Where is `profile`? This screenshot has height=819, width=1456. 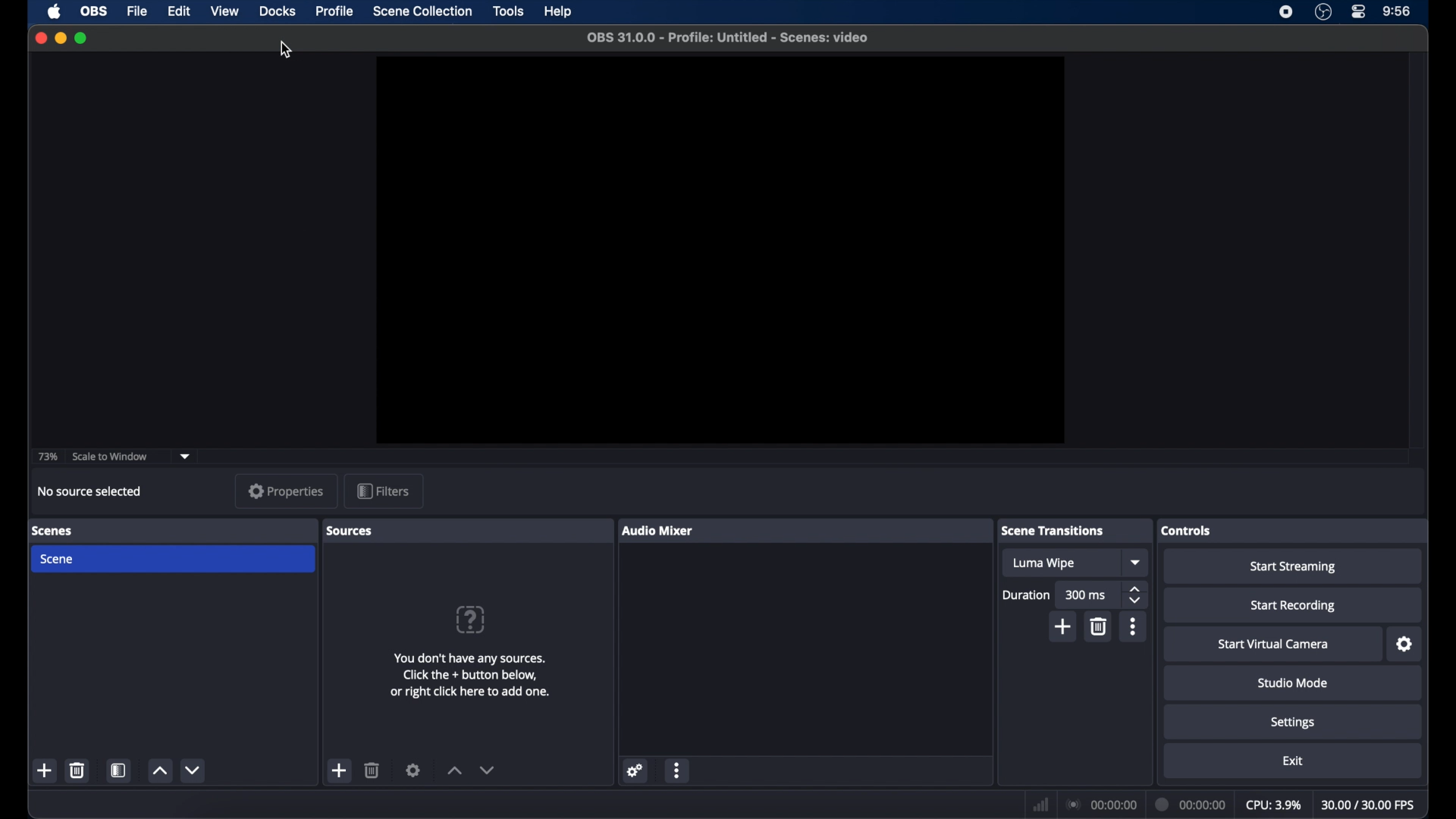
profile is located at coordinates (335, 11).